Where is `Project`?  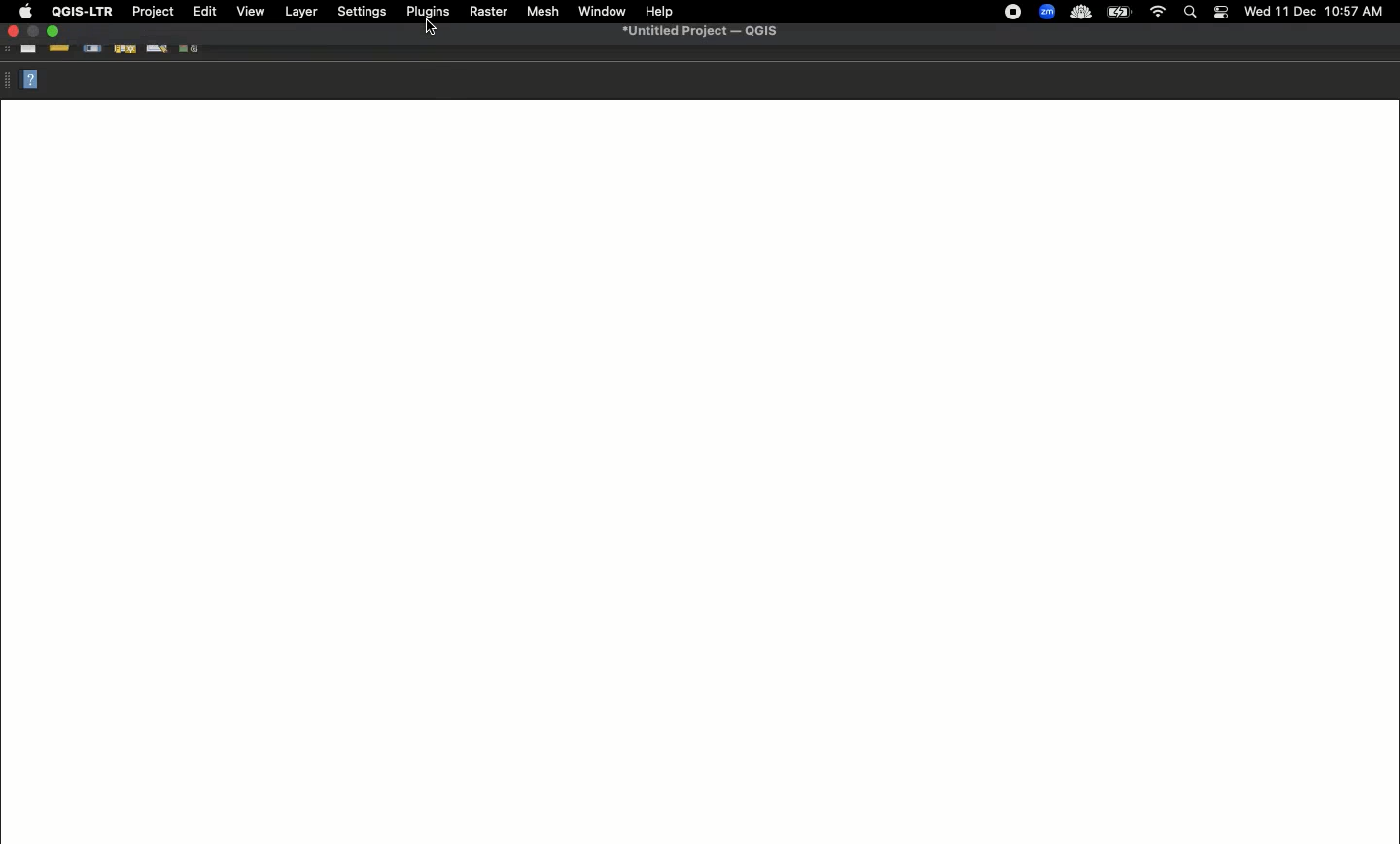
Project is located at coordinates (153, 12).